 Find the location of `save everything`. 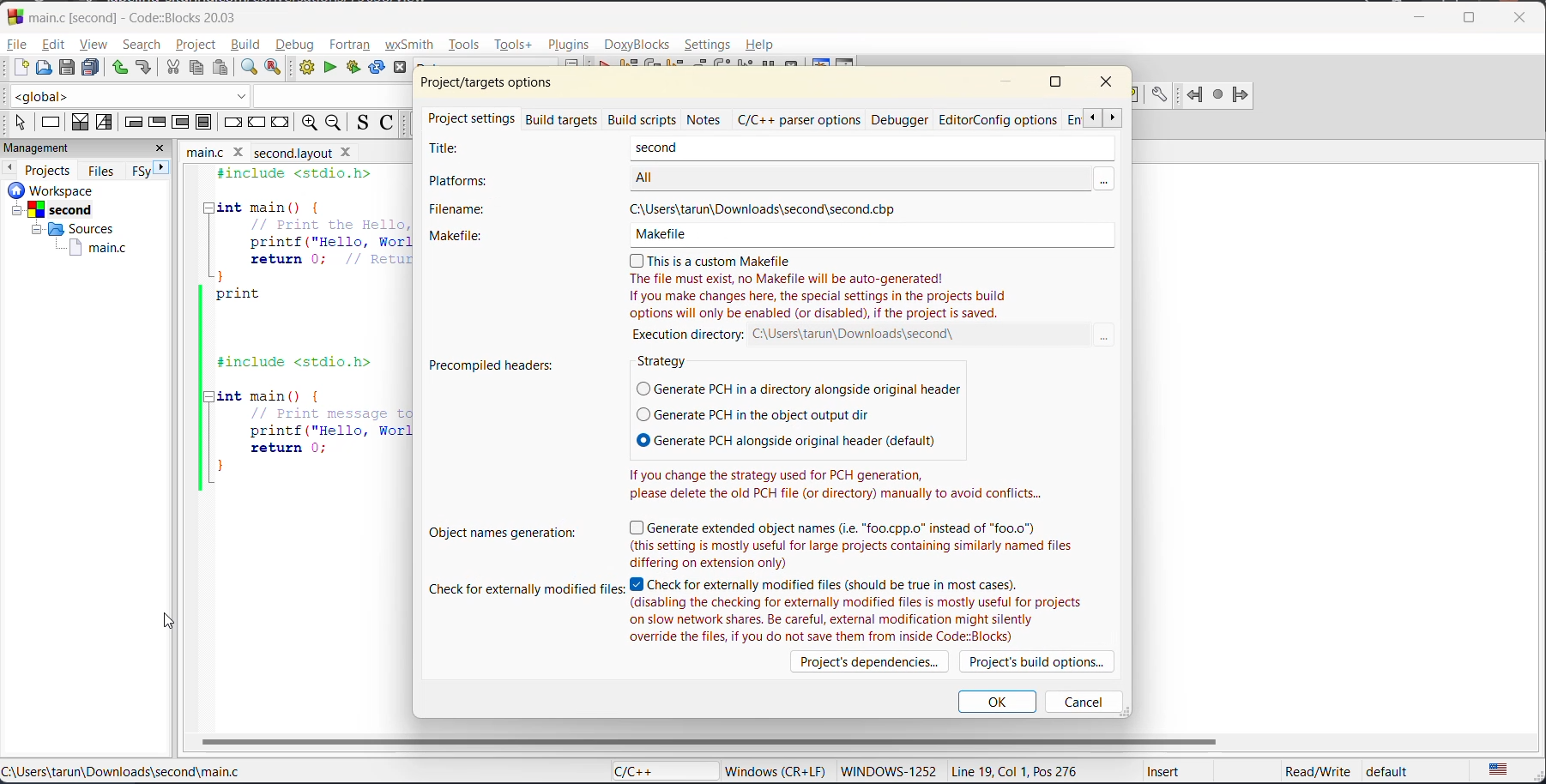

save everything is located at coordinates (92, 69).